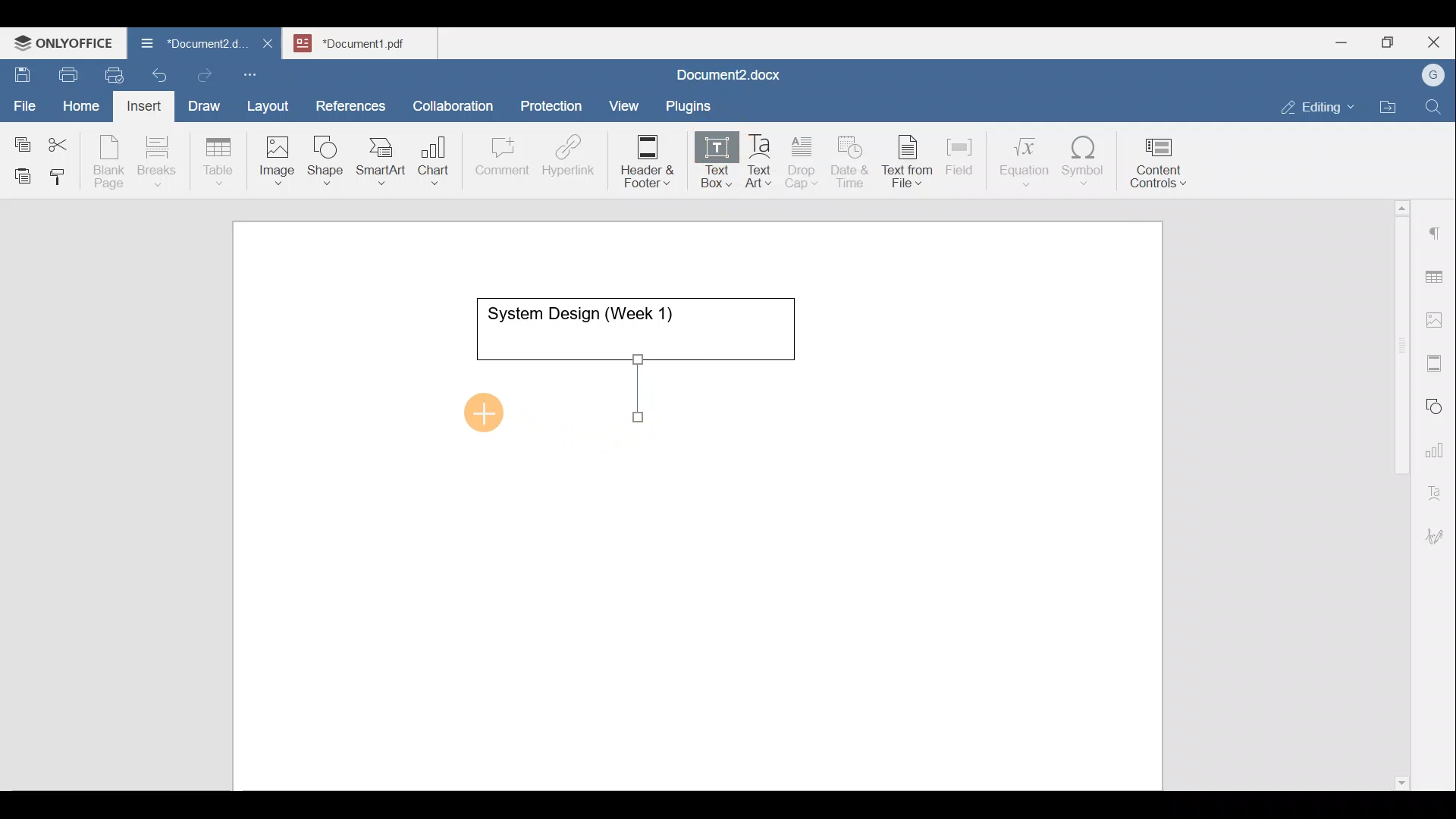 This screenshot has height=819, width=1456. Describe the element at coordinates (19, 172) in the screenshot. I see `Paste` at that location.